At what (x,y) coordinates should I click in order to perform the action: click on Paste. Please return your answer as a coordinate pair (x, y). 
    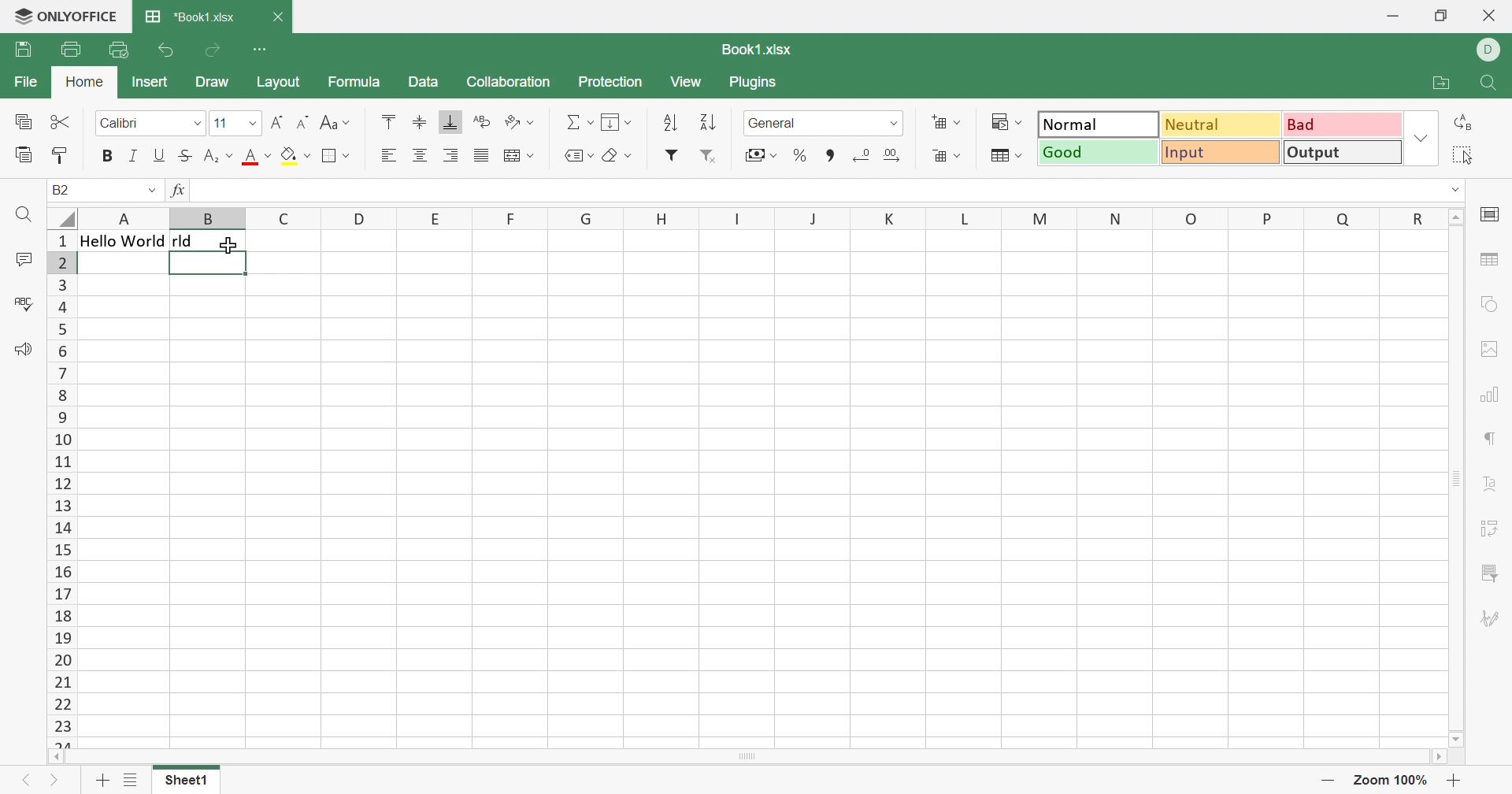
    Looking at the image, I should click on (26, 154).